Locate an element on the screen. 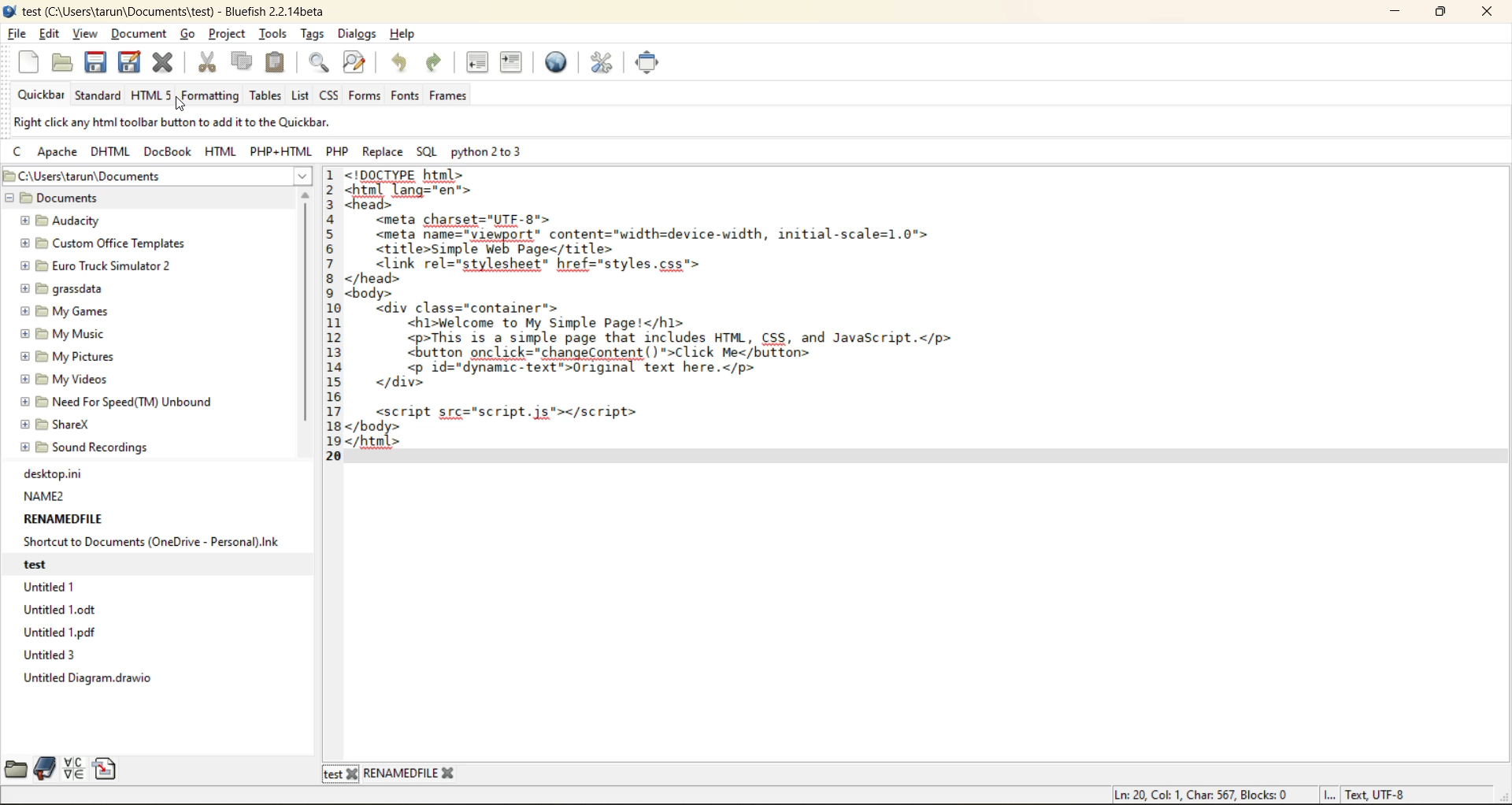  formatting is located at coordinates (211, 96).